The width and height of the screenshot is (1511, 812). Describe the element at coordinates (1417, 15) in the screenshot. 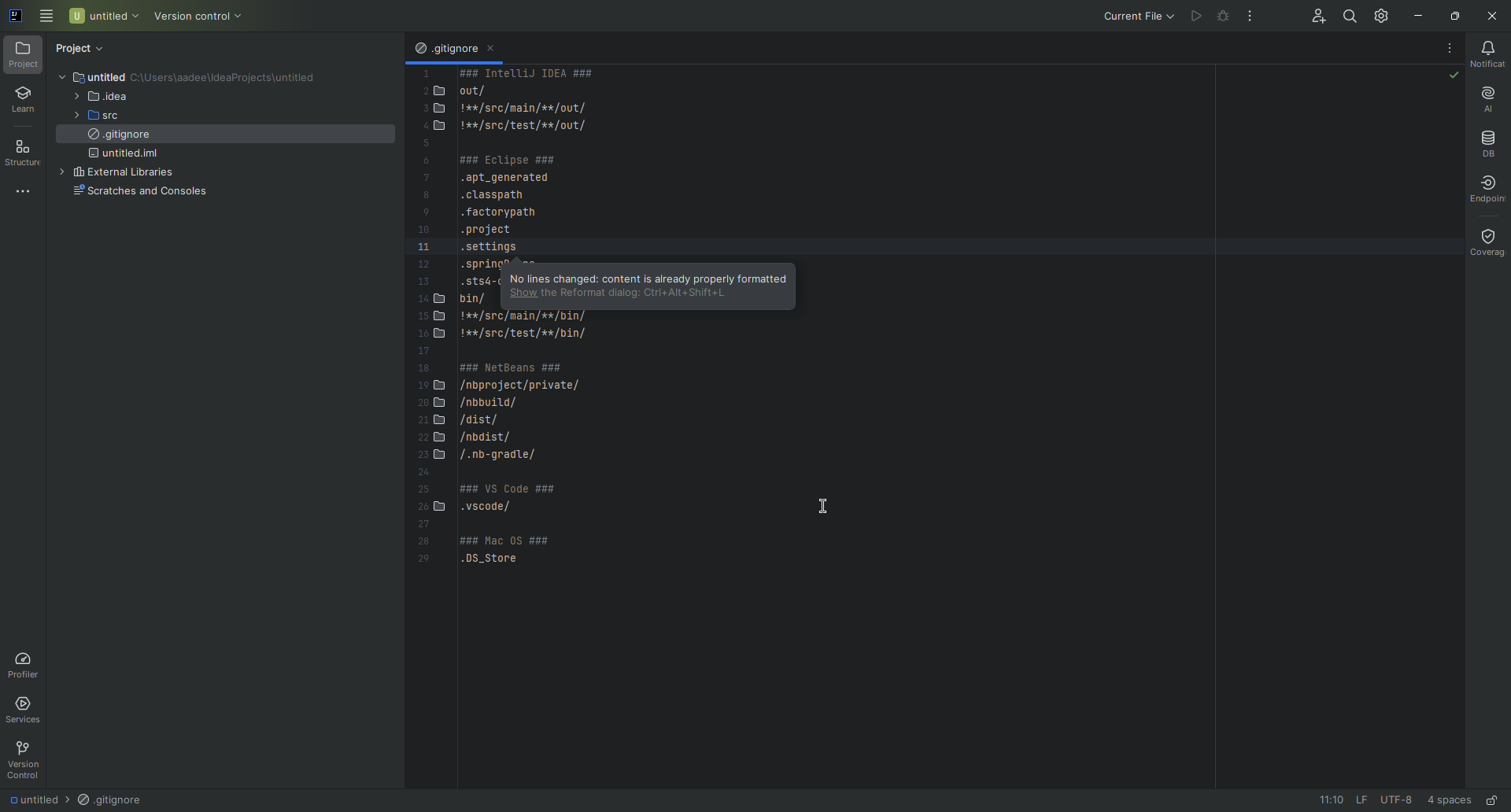

I see `Minimize` at that location.